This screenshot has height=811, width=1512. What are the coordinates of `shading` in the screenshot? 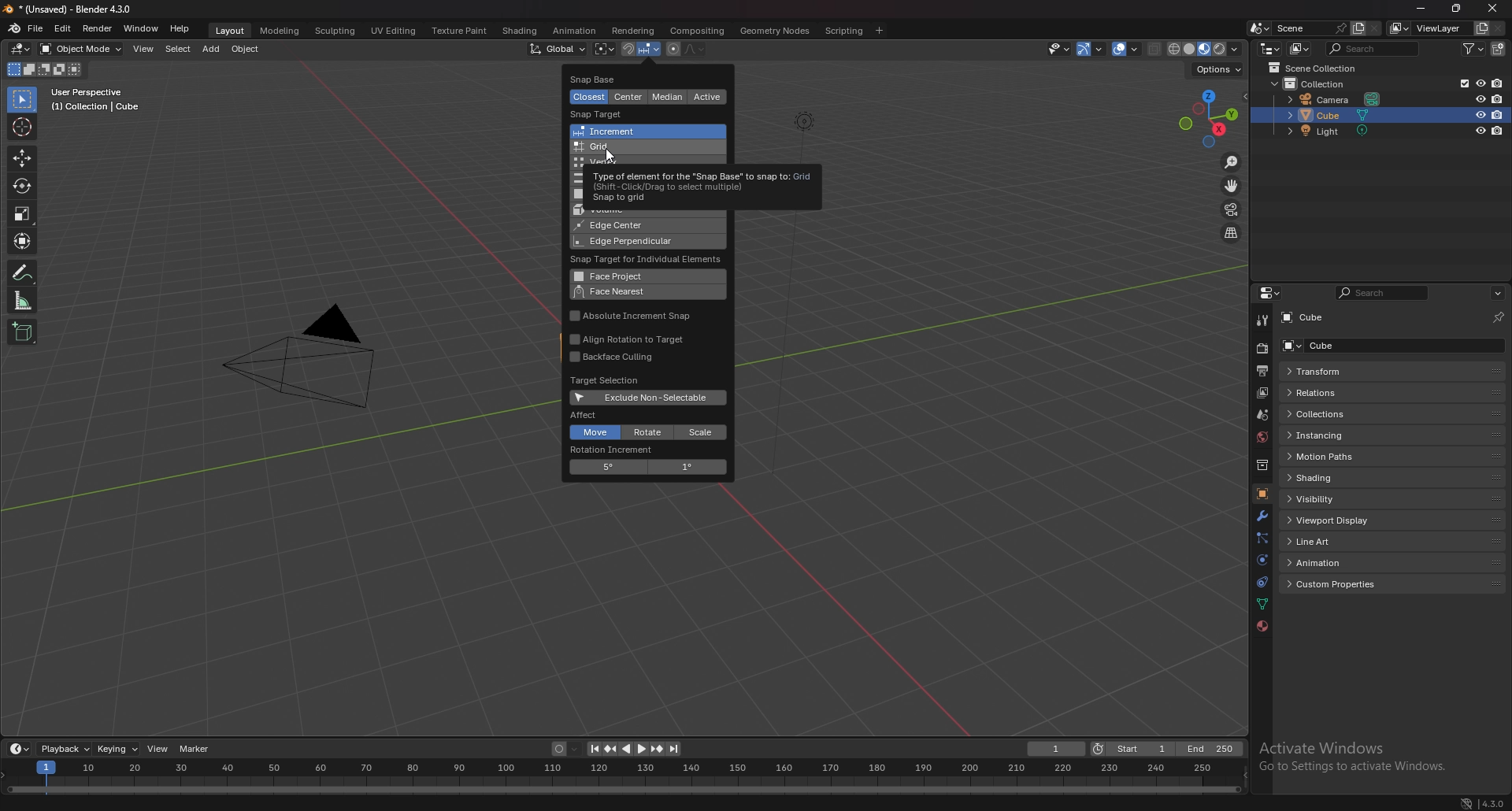 It's located at (519, 31).